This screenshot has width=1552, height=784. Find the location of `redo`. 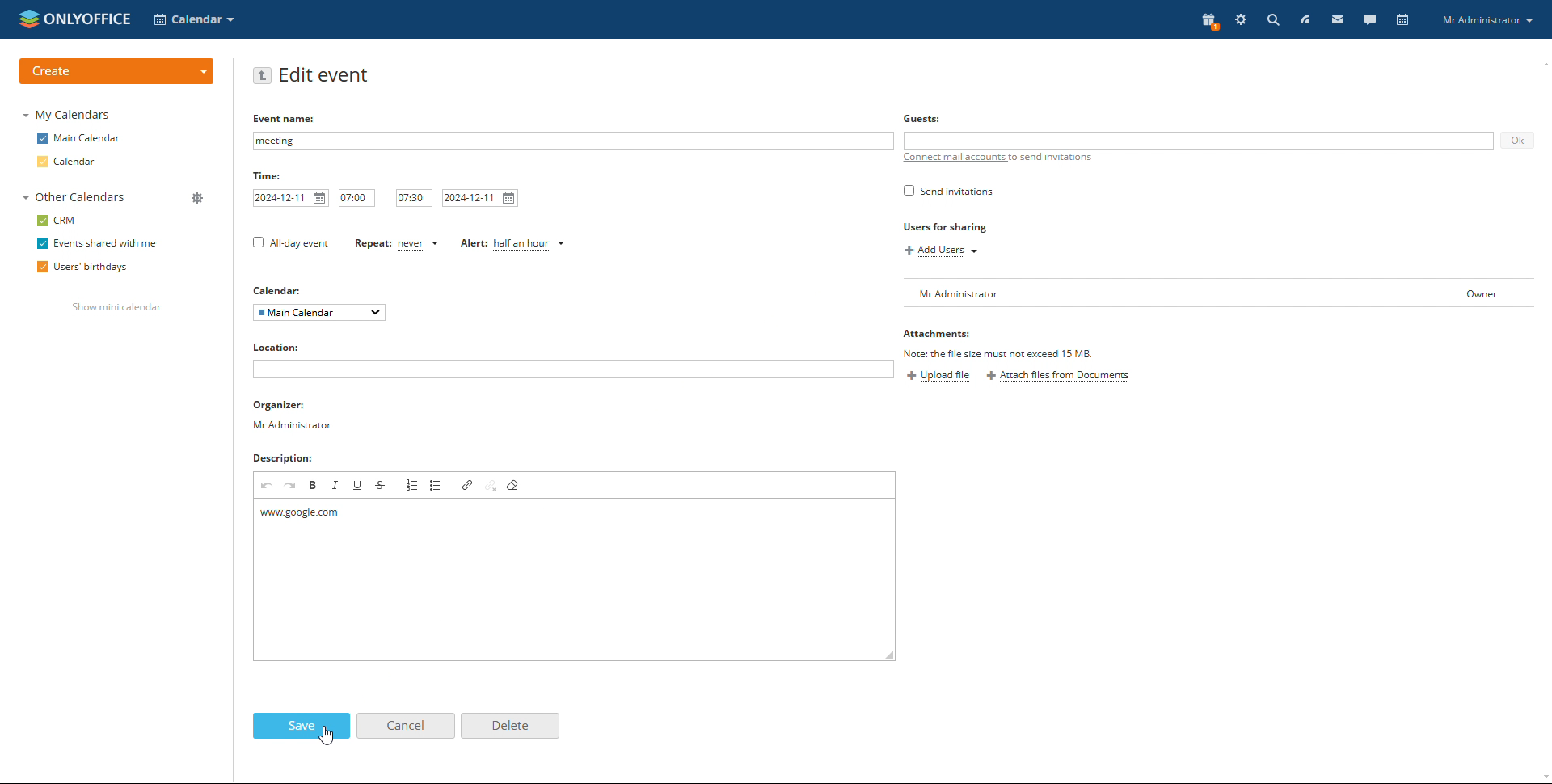

redo is located at coordinates (291, 486).